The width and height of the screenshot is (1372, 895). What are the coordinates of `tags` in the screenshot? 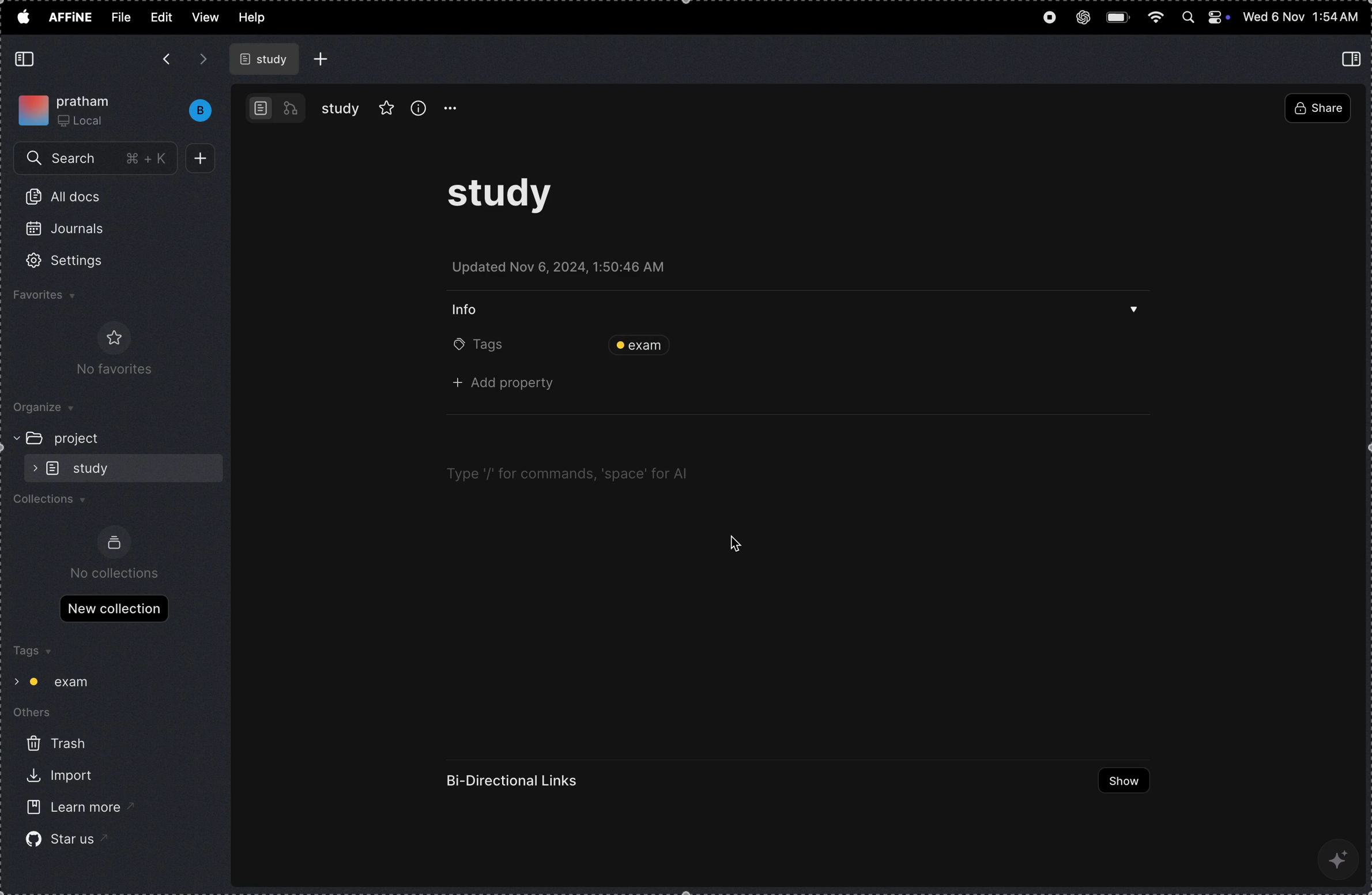 It's located at (31, 652).